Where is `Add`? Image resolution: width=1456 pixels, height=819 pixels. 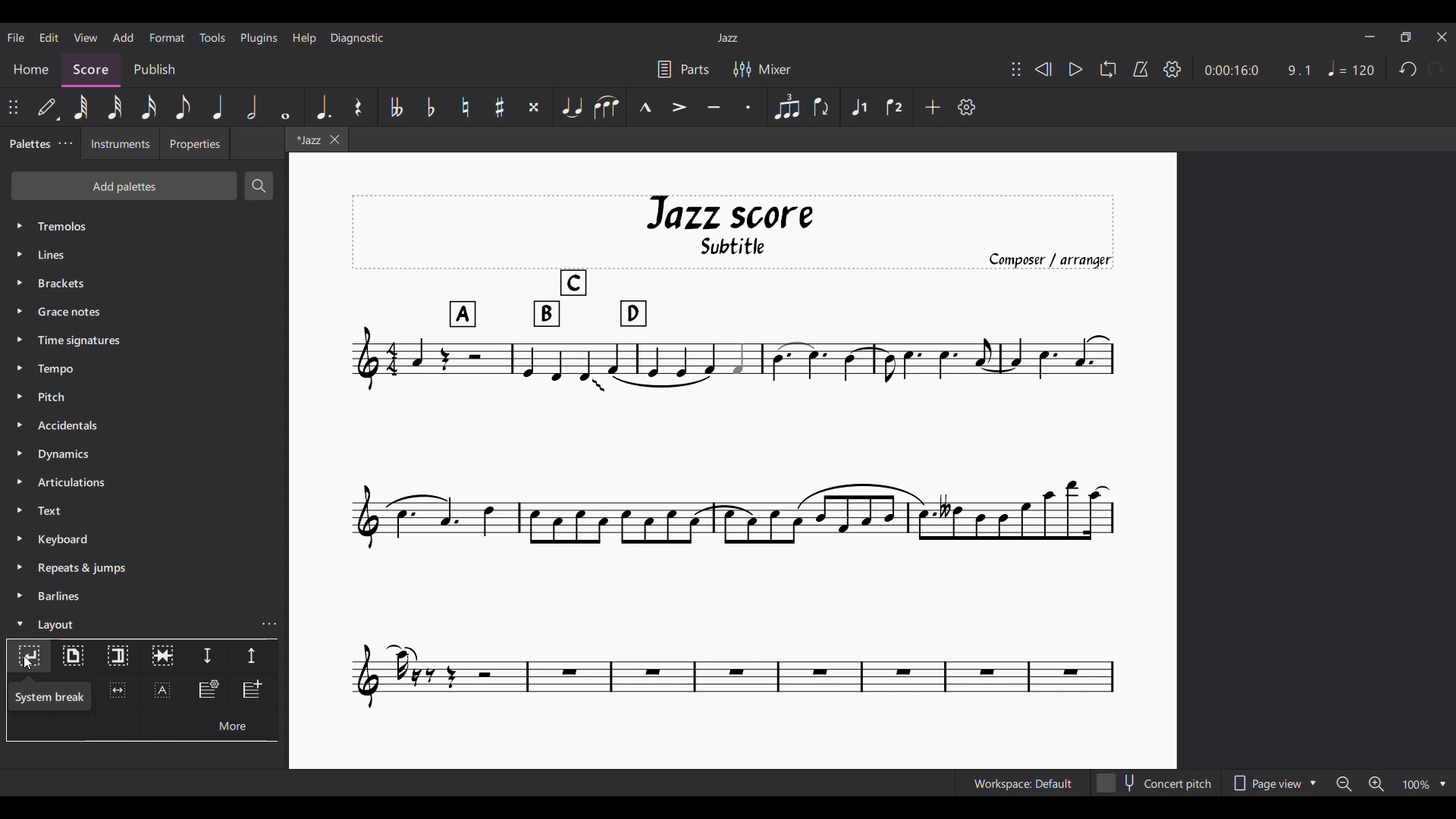
Add is located at coordinates (932, 107).